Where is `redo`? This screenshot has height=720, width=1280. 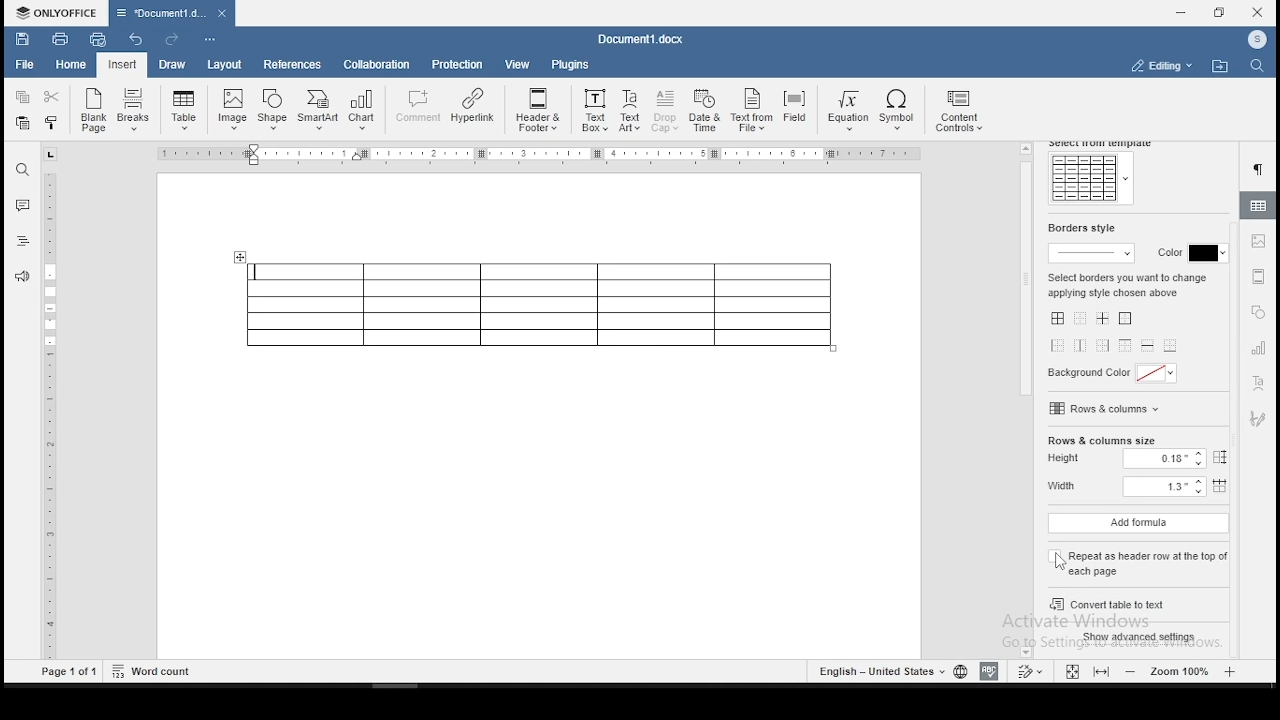 redo is located at coordinates (170, 39).